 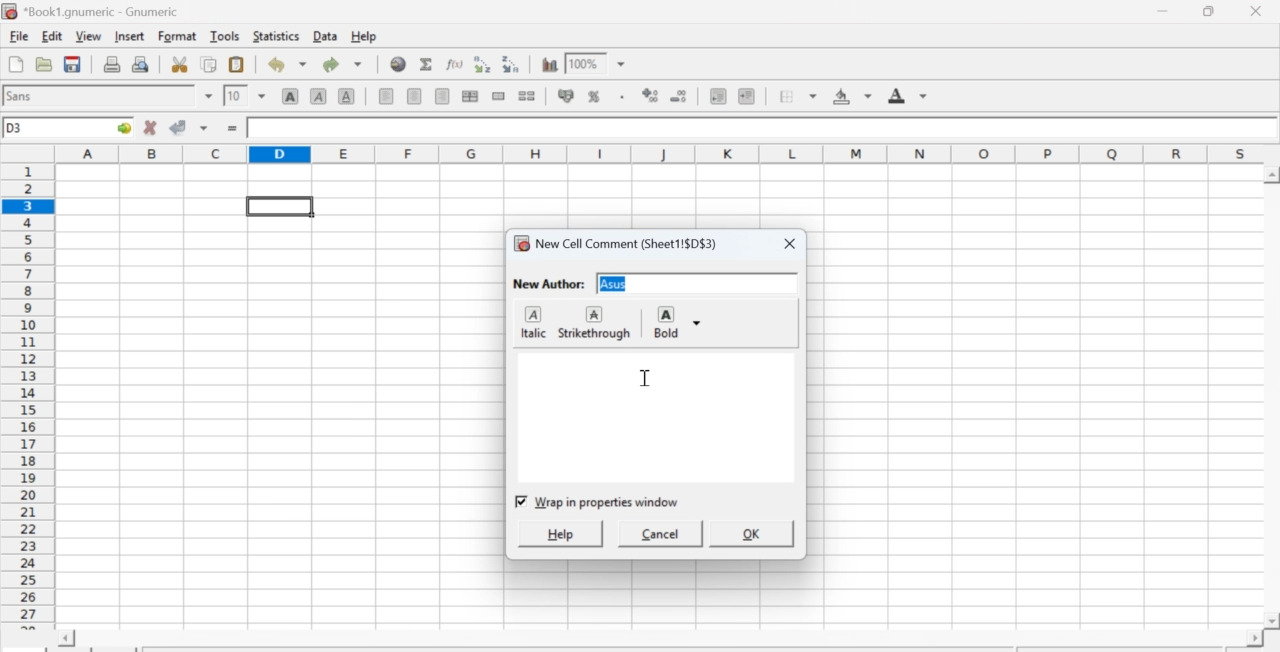 What do you see at coordinates (470, 97) in the screenshot?
I see `Center horizontally` at bounding box center [470, 97].